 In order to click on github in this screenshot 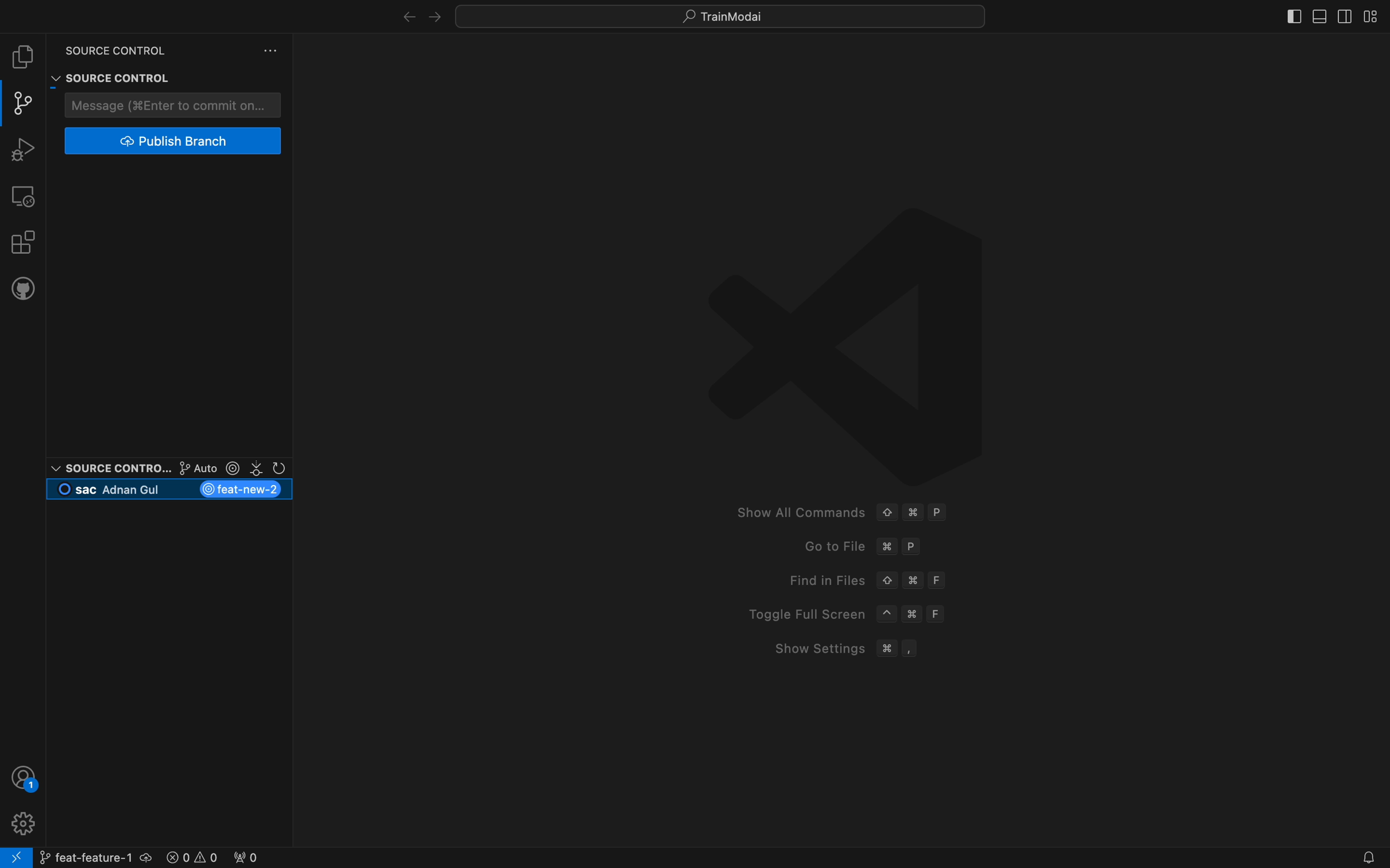, I will do `click(23, 287)`.